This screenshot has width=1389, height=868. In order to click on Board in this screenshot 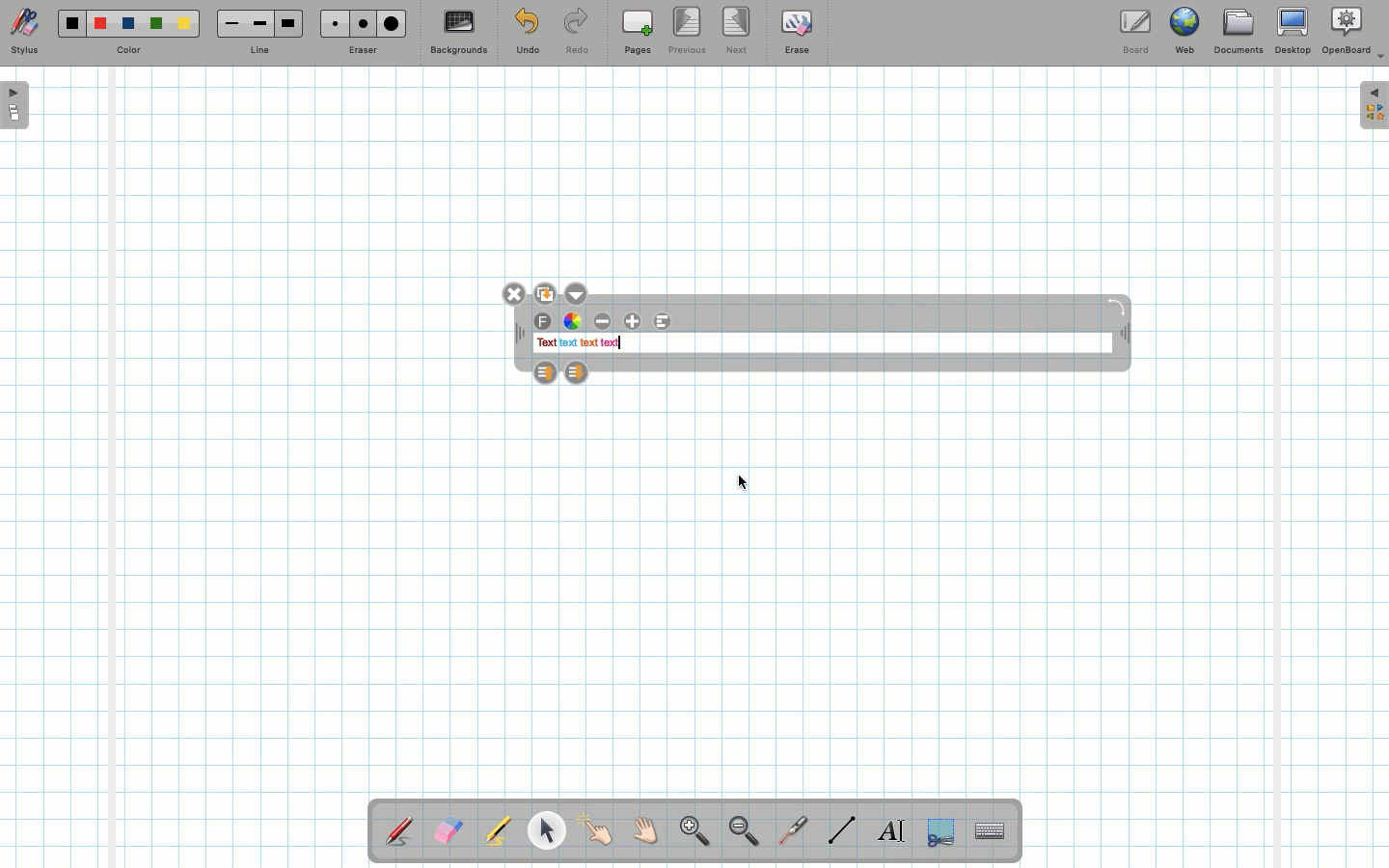, I will do `click(1134, 32)`.